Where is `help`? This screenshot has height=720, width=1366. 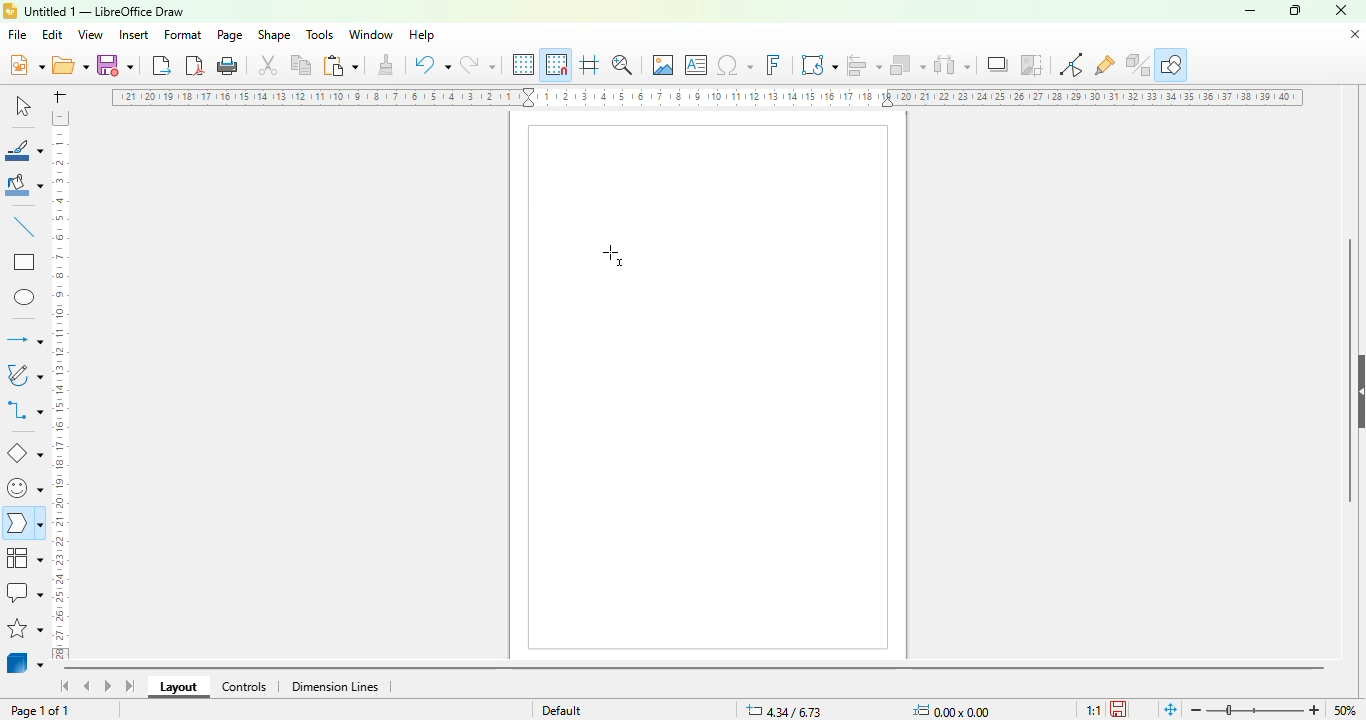
help is located at coordinates (423, 35).